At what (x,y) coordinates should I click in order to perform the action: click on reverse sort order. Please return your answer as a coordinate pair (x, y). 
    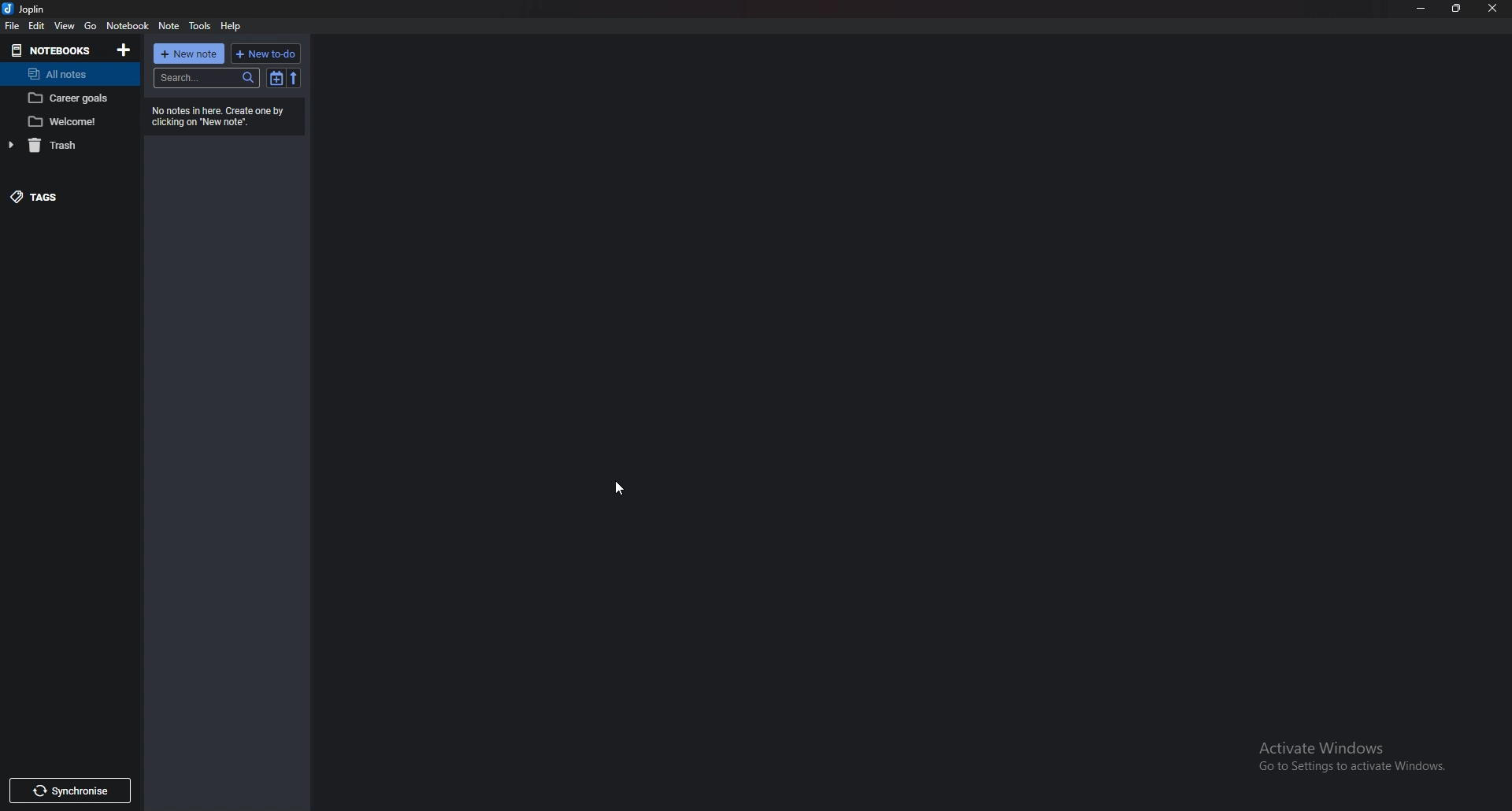
    Looking at the image, I should click on (294, 78).